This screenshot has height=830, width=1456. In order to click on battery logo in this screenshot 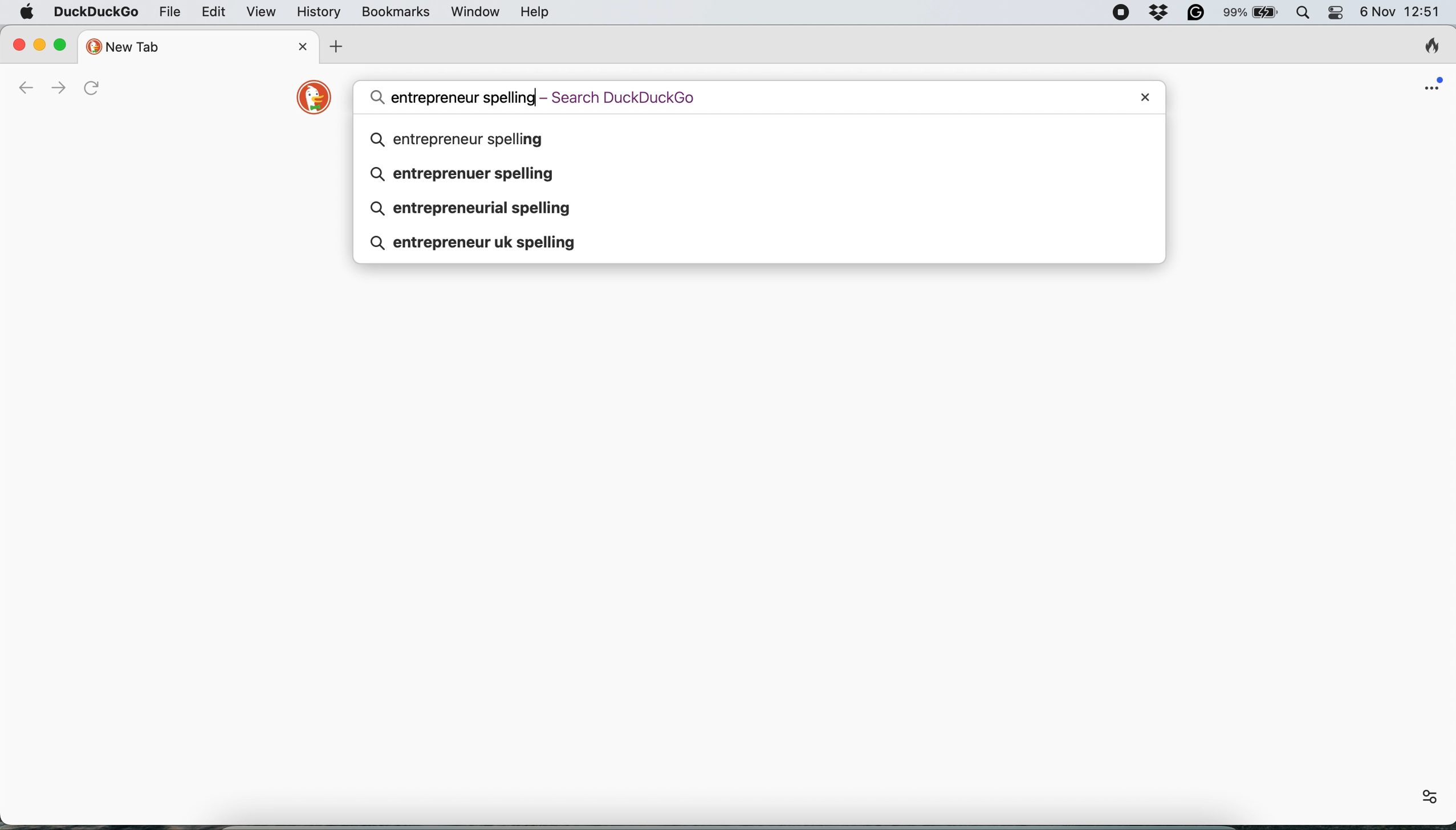, I will do `click(1269, 13)`.